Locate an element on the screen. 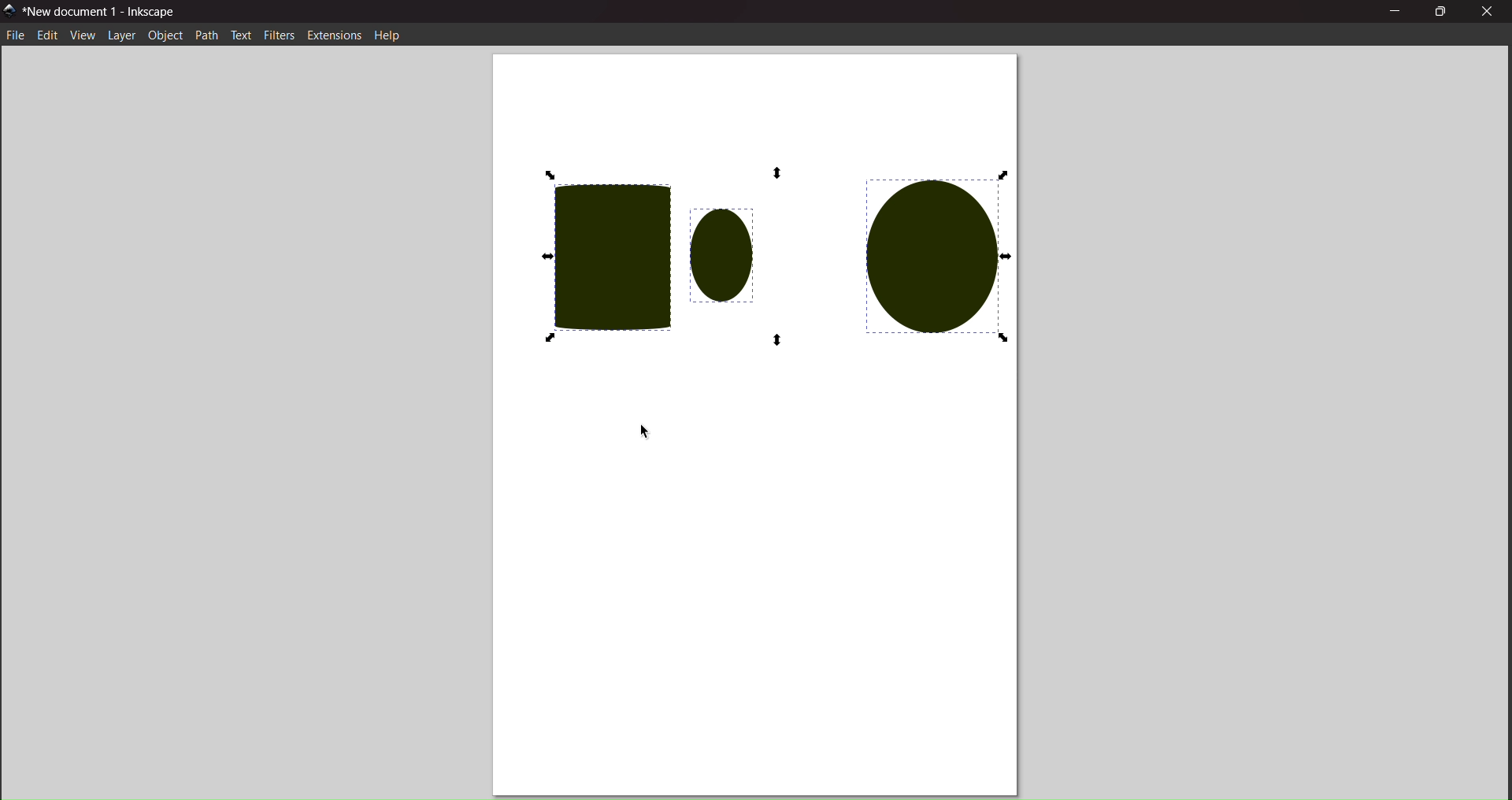  filters is located at coordinates (280, 34).